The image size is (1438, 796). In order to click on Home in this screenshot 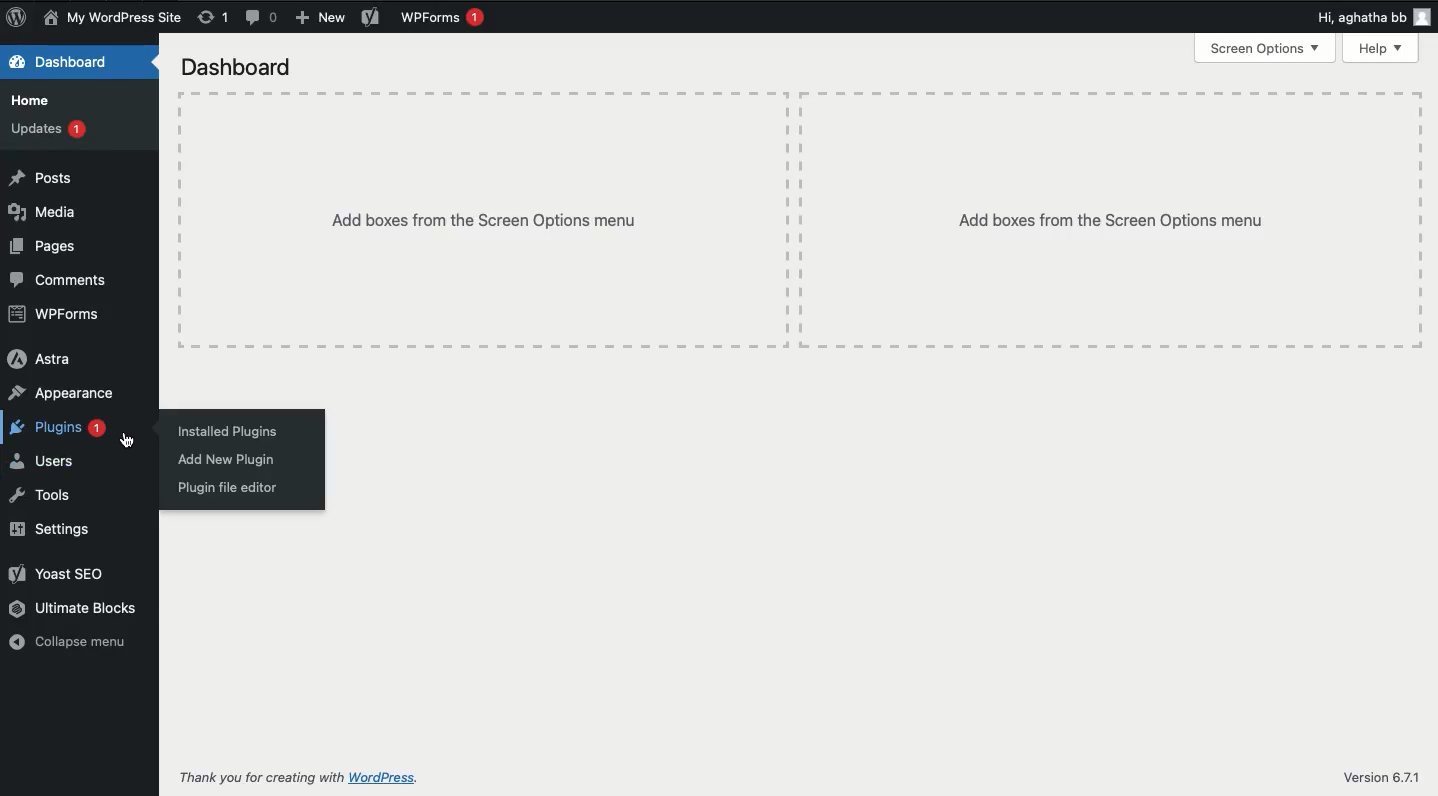, I will do `click(37, 99)`.